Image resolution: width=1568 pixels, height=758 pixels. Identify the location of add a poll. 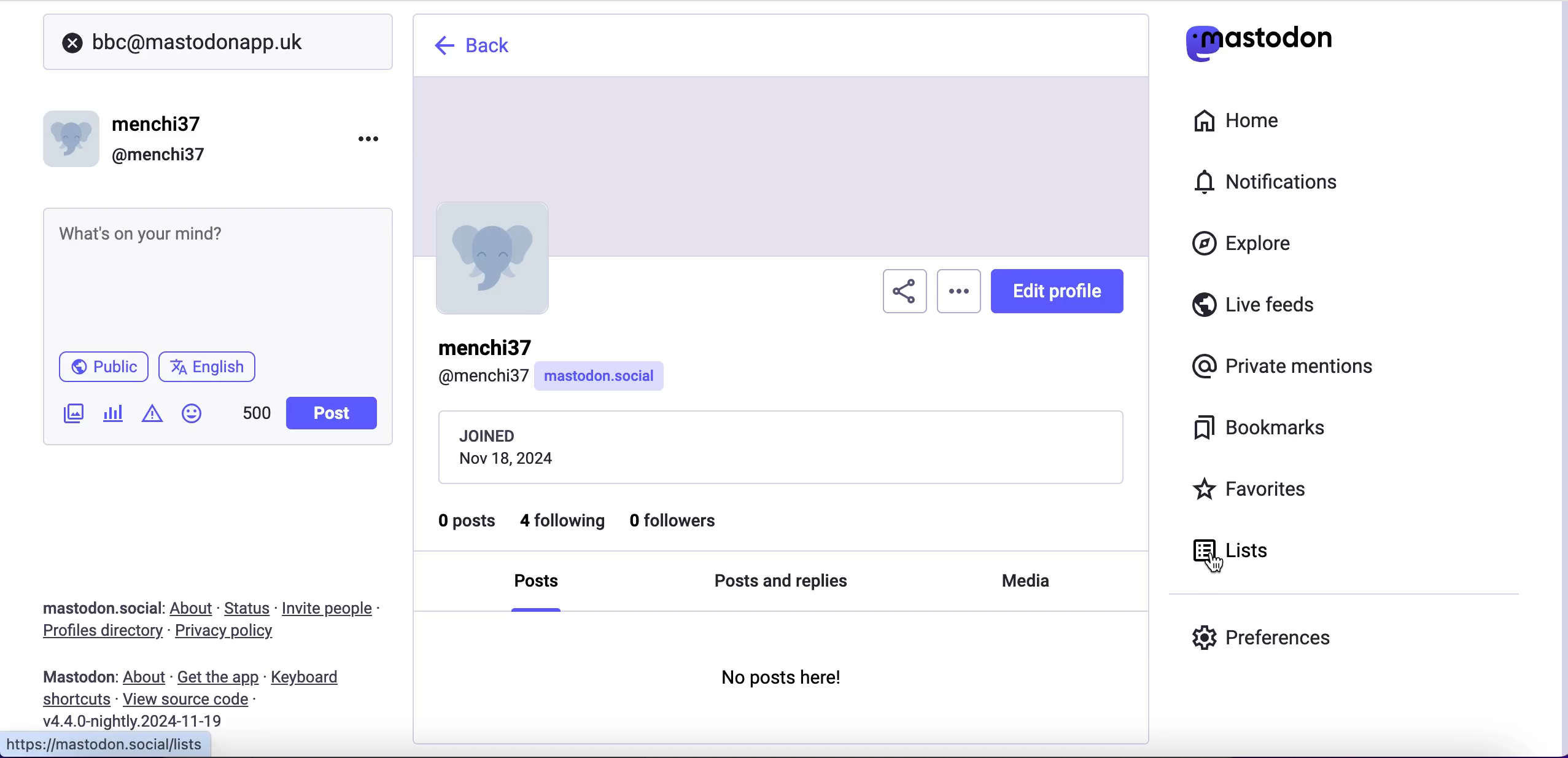
(112, 418).